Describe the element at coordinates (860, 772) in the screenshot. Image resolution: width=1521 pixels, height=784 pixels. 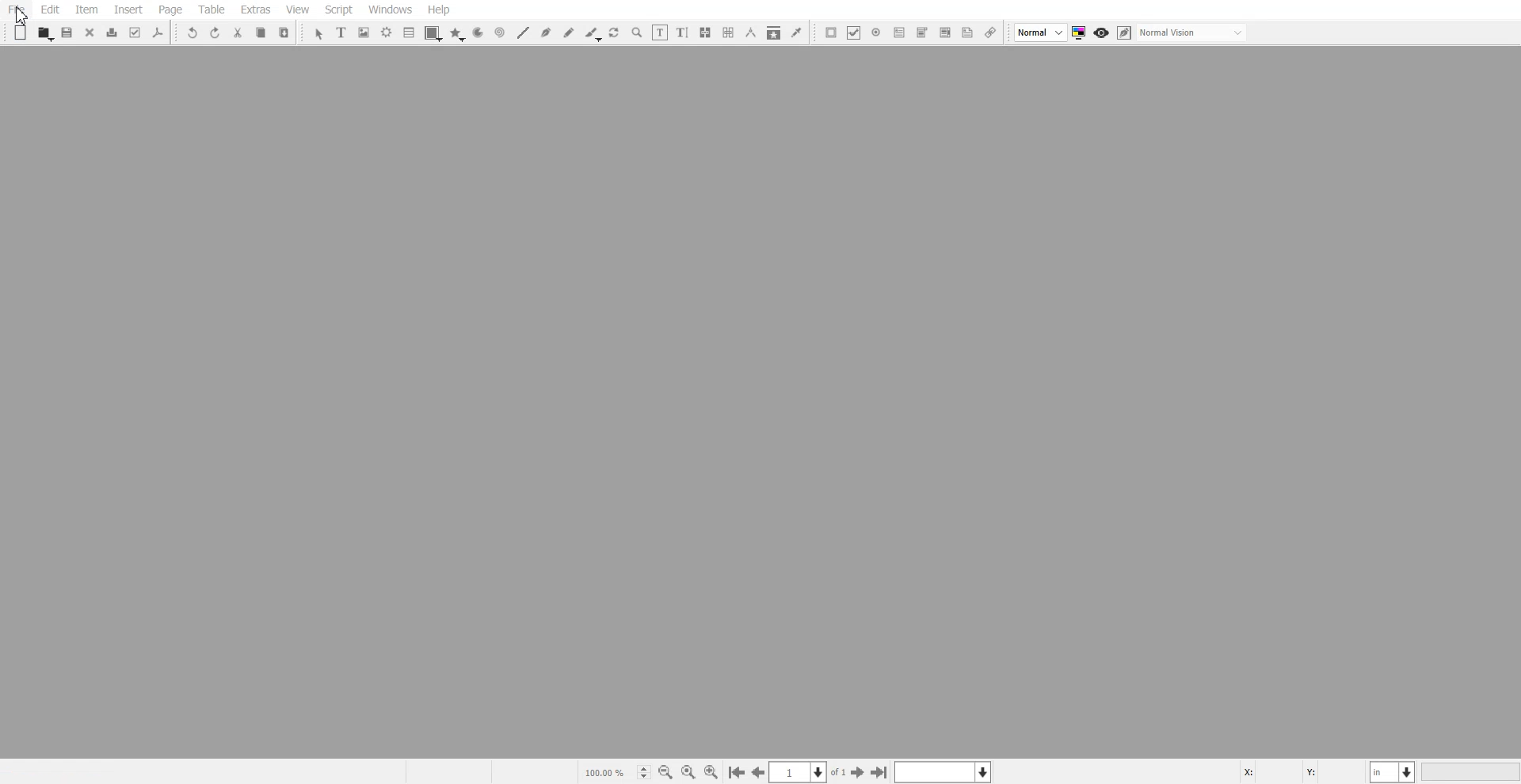
I see `Go to the First page` at that location.